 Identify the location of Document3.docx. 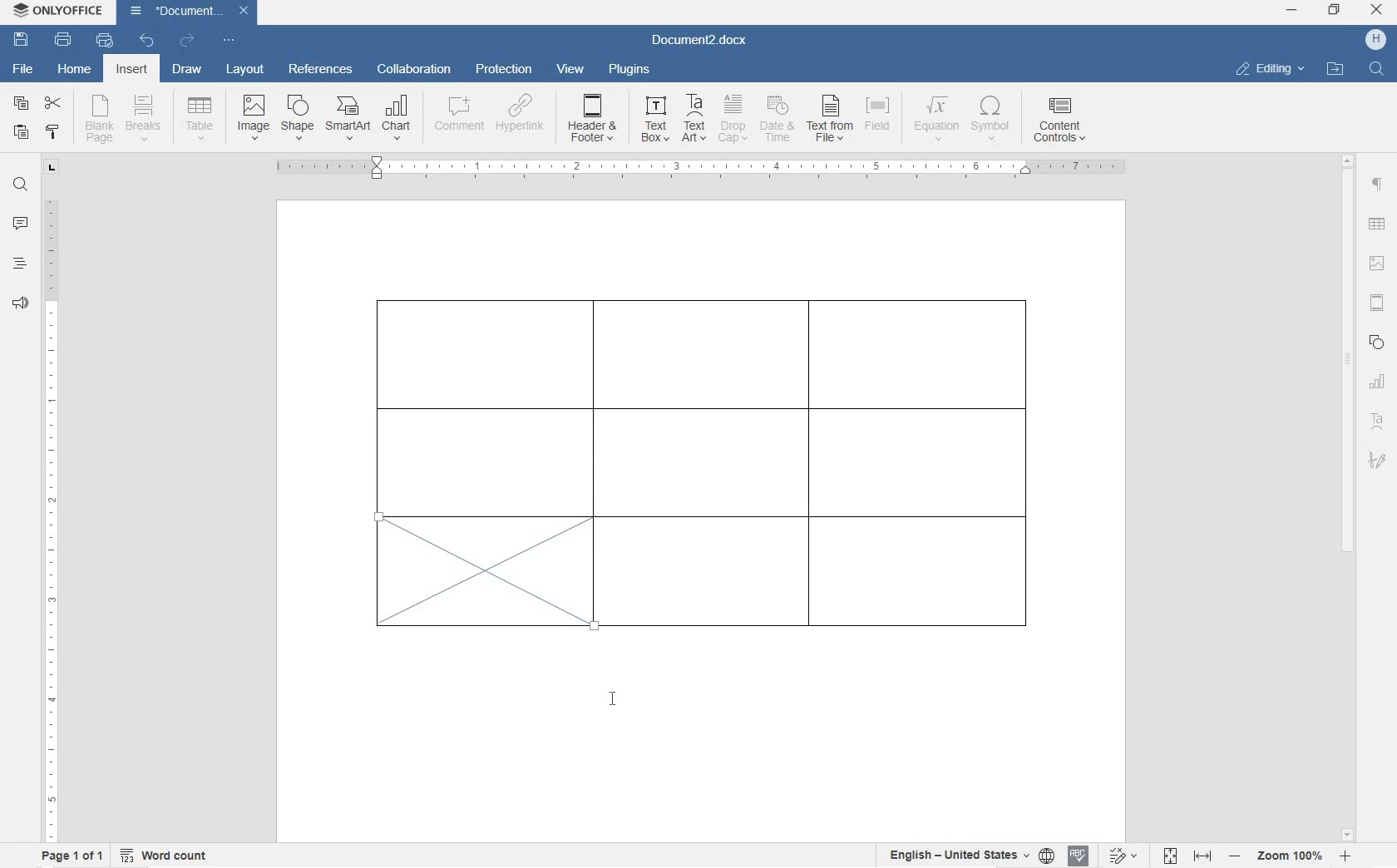
(189, 12).